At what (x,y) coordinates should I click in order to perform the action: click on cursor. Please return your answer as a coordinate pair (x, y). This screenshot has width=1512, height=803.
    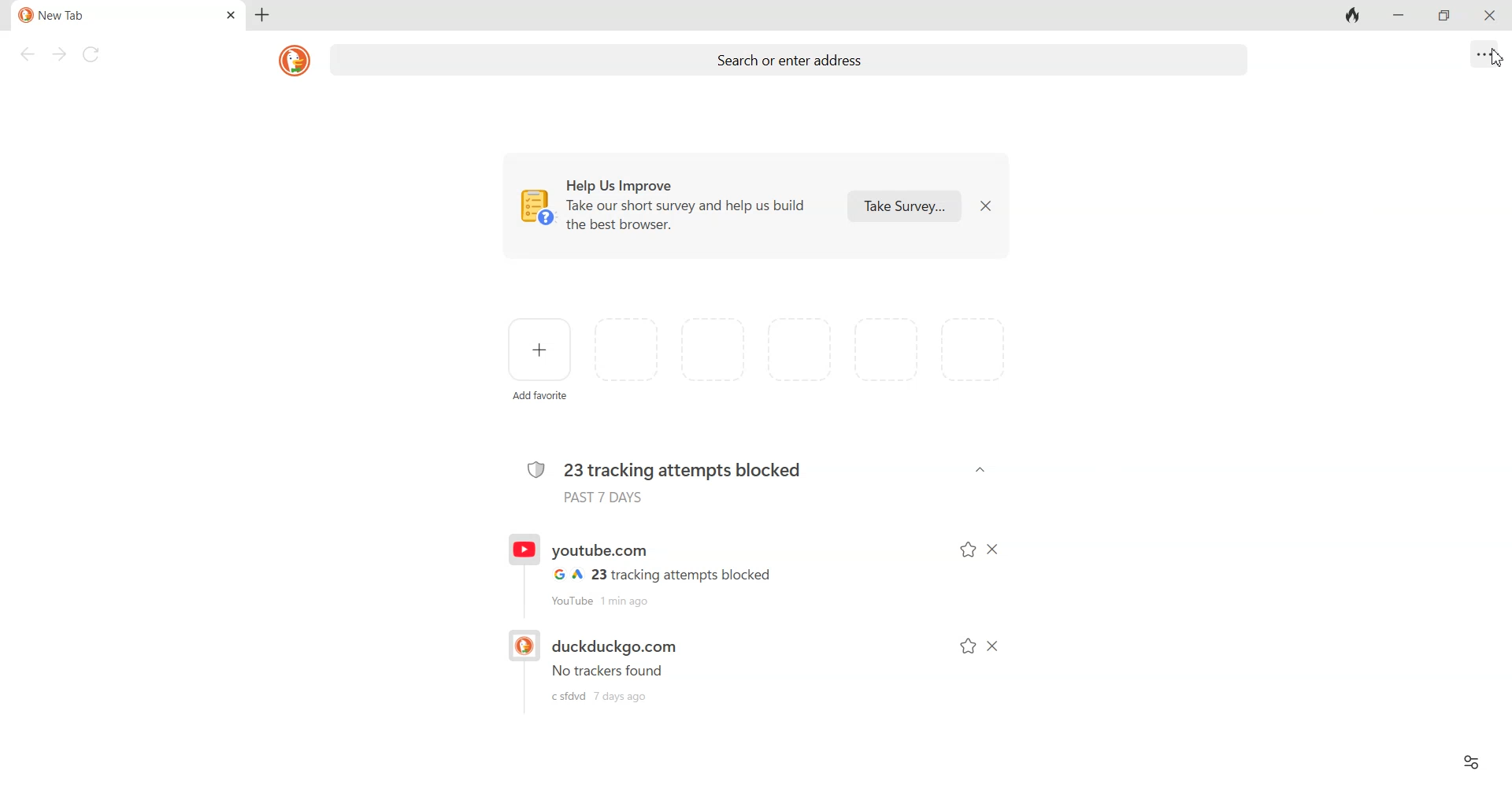
    Looking at the image, I should click on (1495, 65).